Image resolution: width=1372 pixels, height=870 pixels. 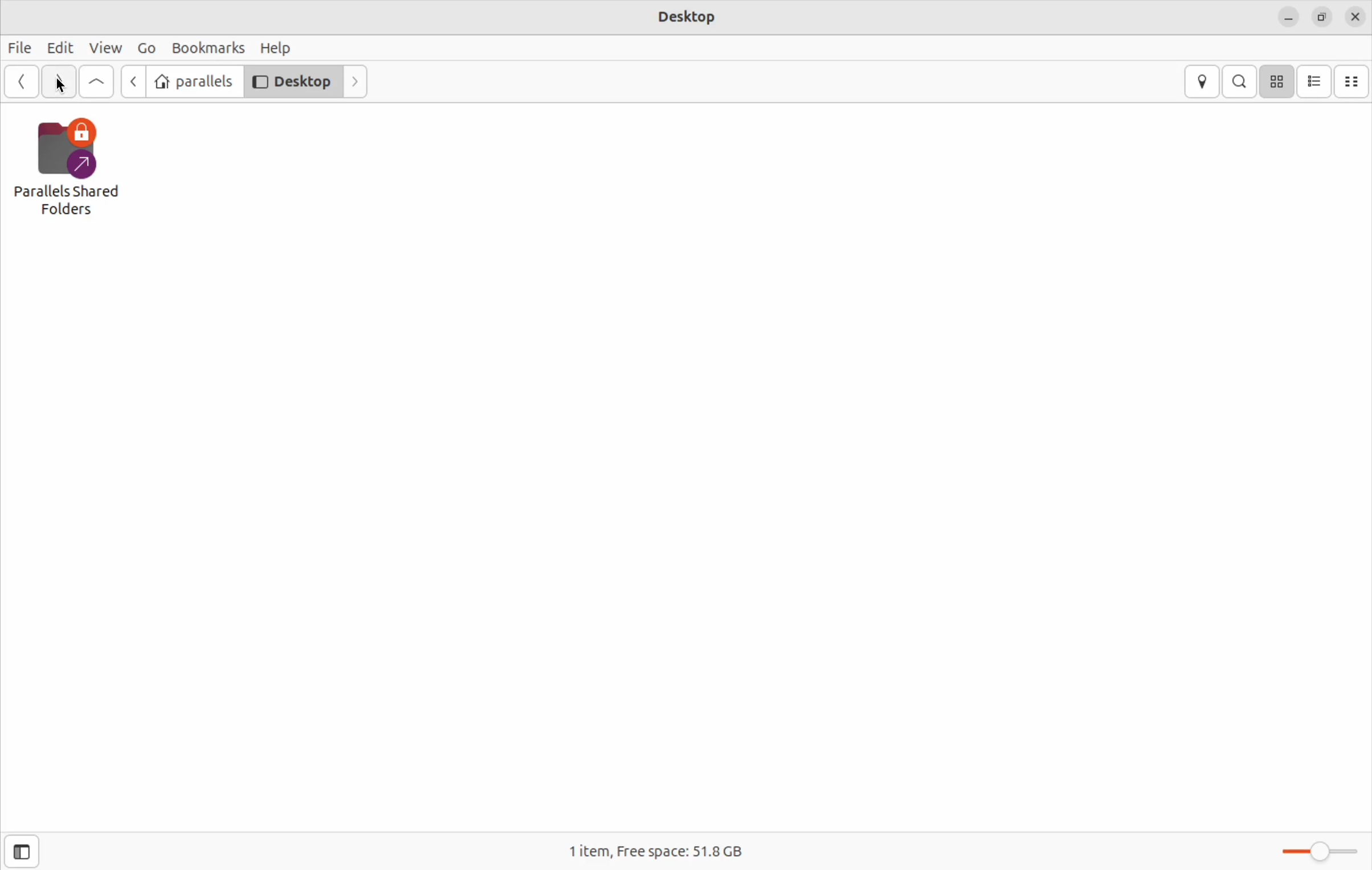 I want to click on desktop, so click(x=687, y=16).